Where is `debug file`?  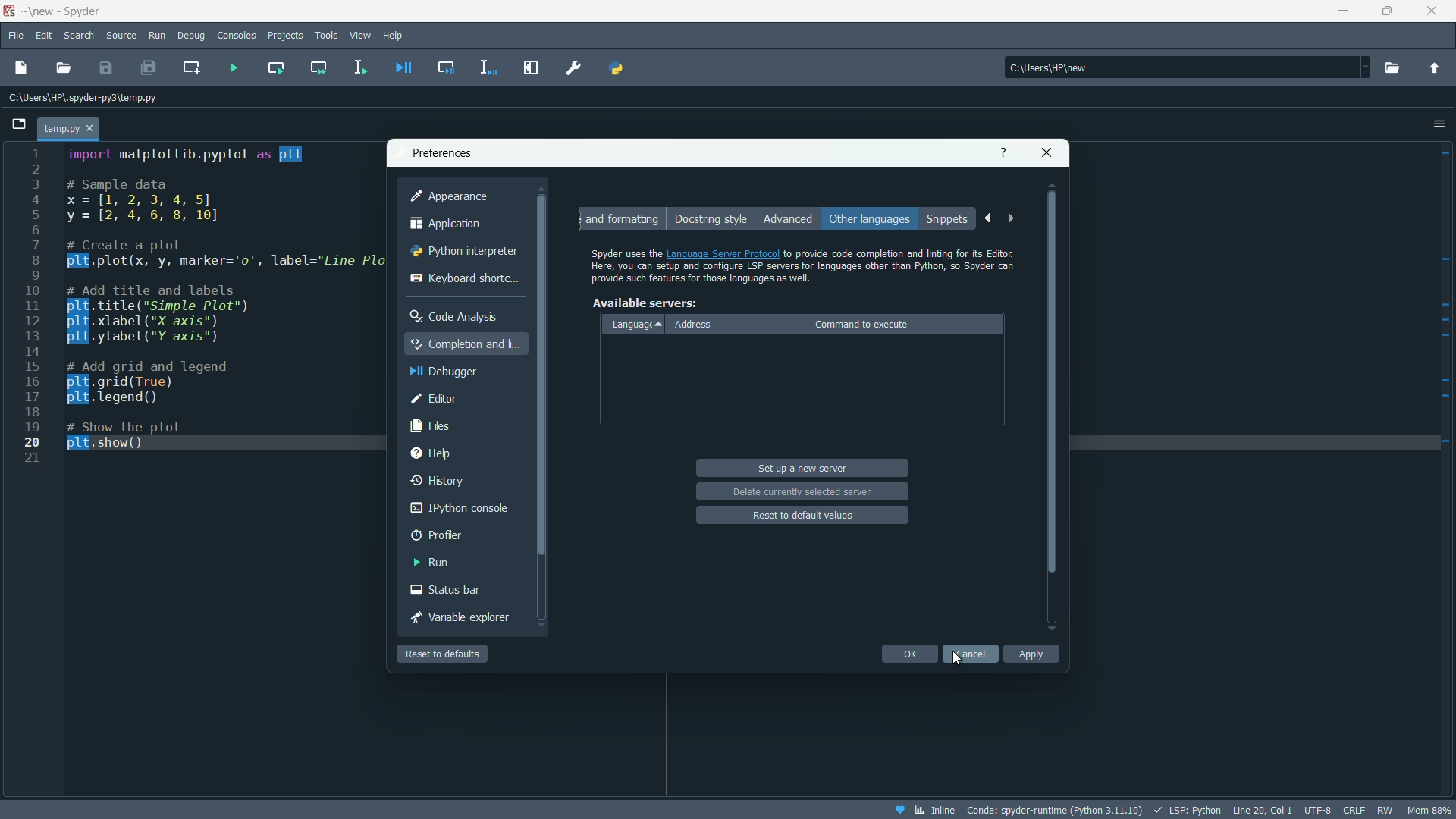 debug file is located at coordinates (404, 67).